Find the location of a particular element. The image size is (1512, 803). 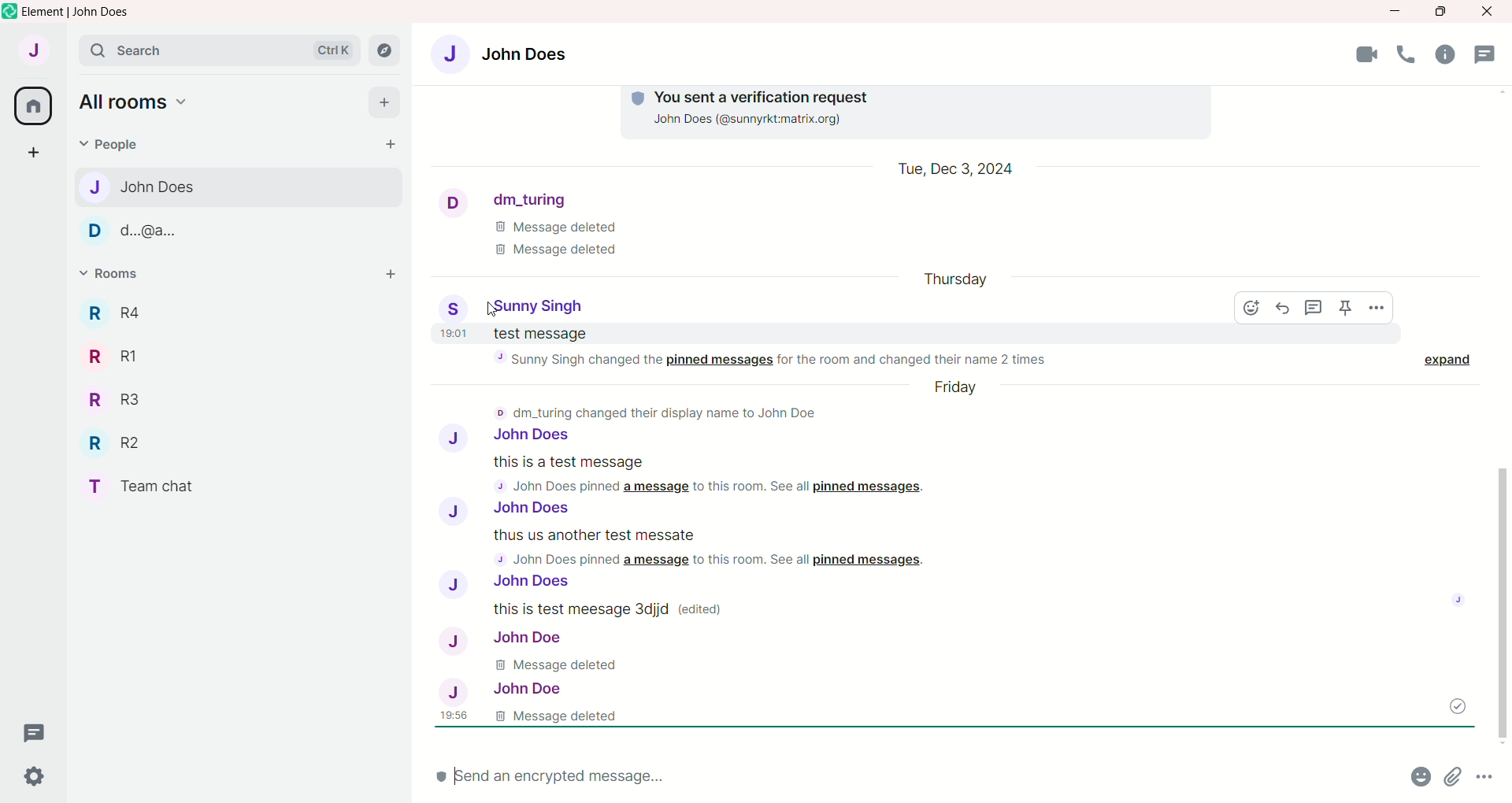

dm_turning changed their display name to John doe is located at coordinates (670, 413).